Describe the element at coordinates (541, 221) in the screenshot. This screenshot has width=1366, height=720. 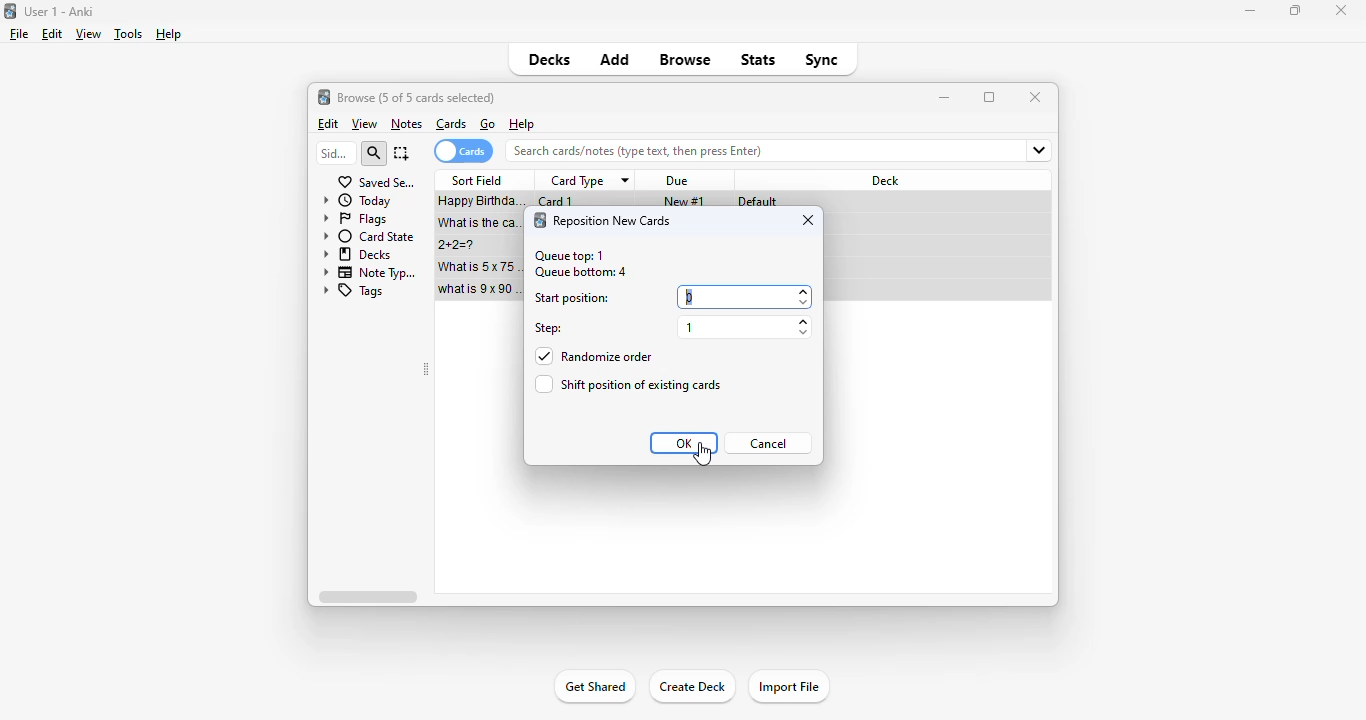
I see `logo` at that location.